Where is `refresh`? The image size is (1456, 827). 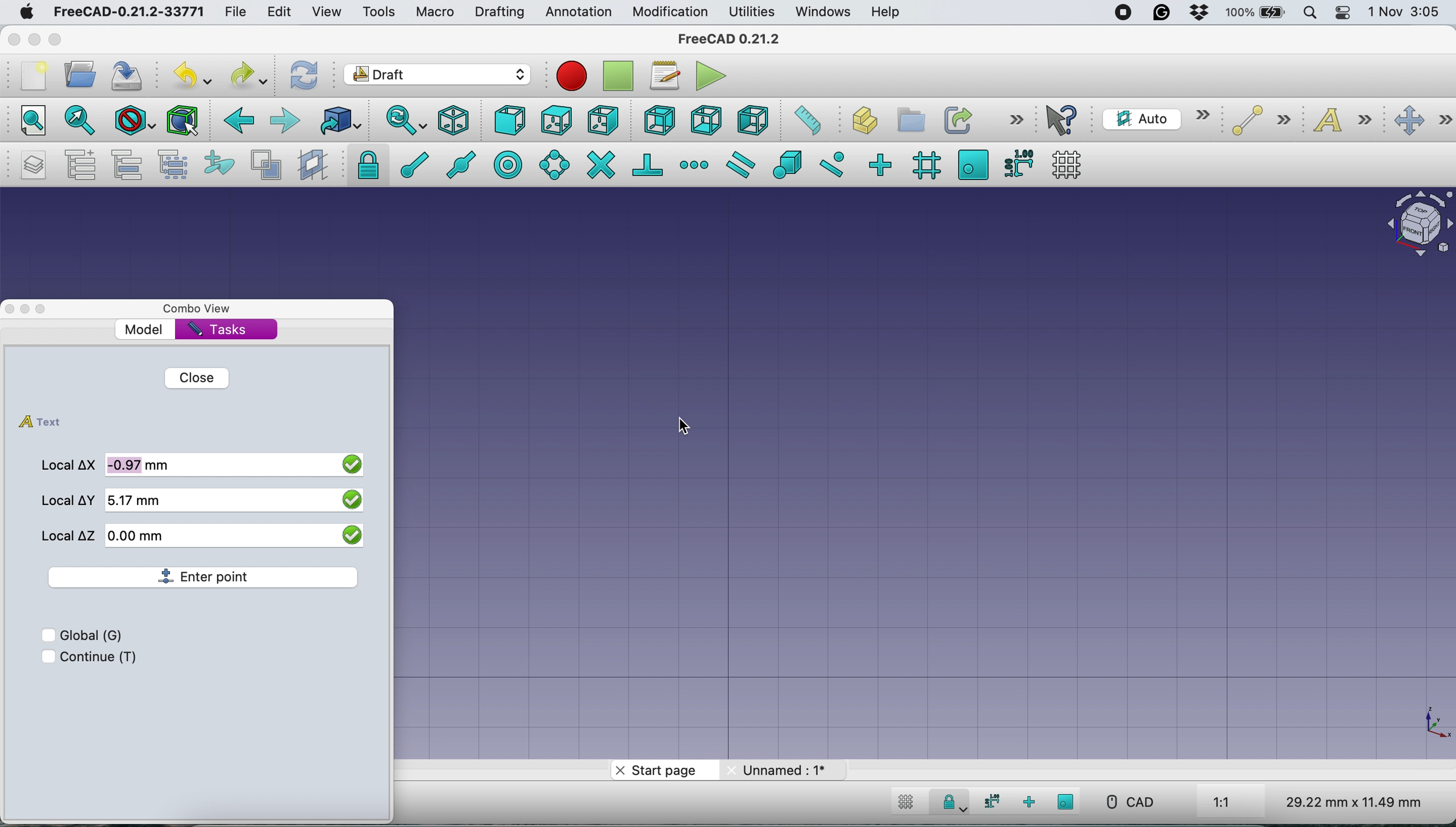 refresh is located at coordinates (302, 74).